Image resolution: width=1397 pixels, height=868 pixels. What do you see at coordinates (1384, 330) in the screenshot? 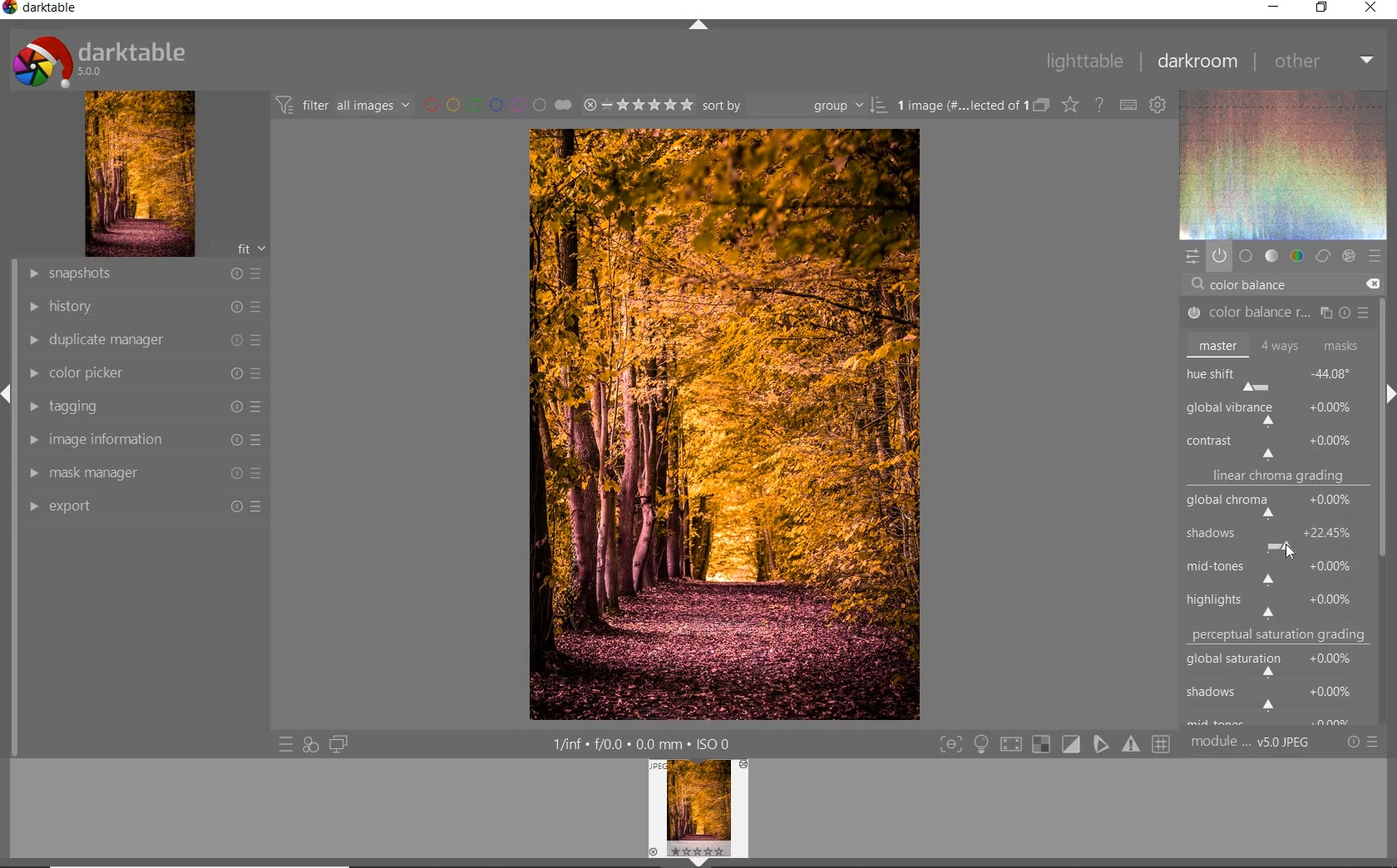
I see `scrollbar` at bounding box center [1384, 330].